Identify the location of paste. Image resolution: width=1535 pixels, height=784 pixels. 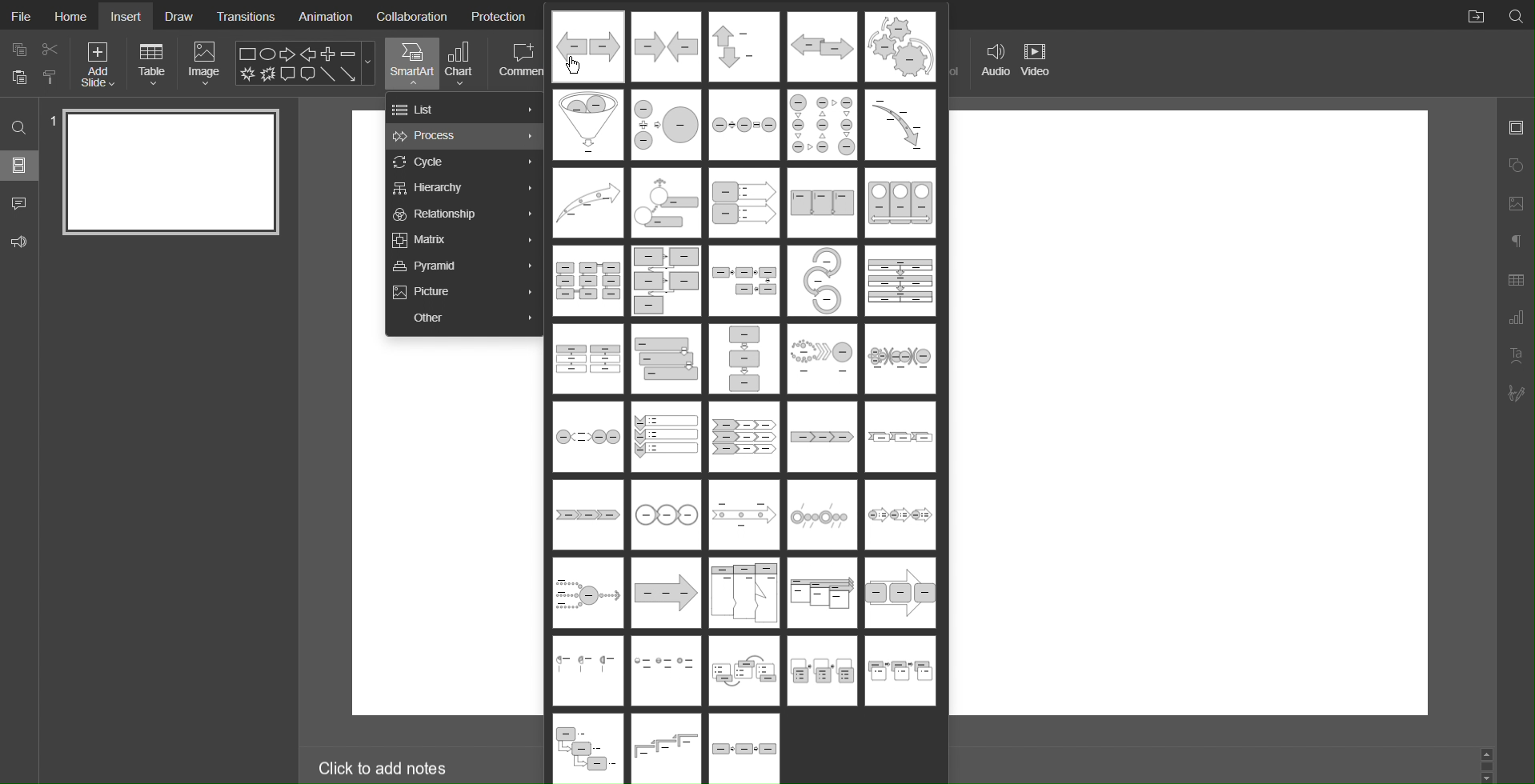
(18, 78).